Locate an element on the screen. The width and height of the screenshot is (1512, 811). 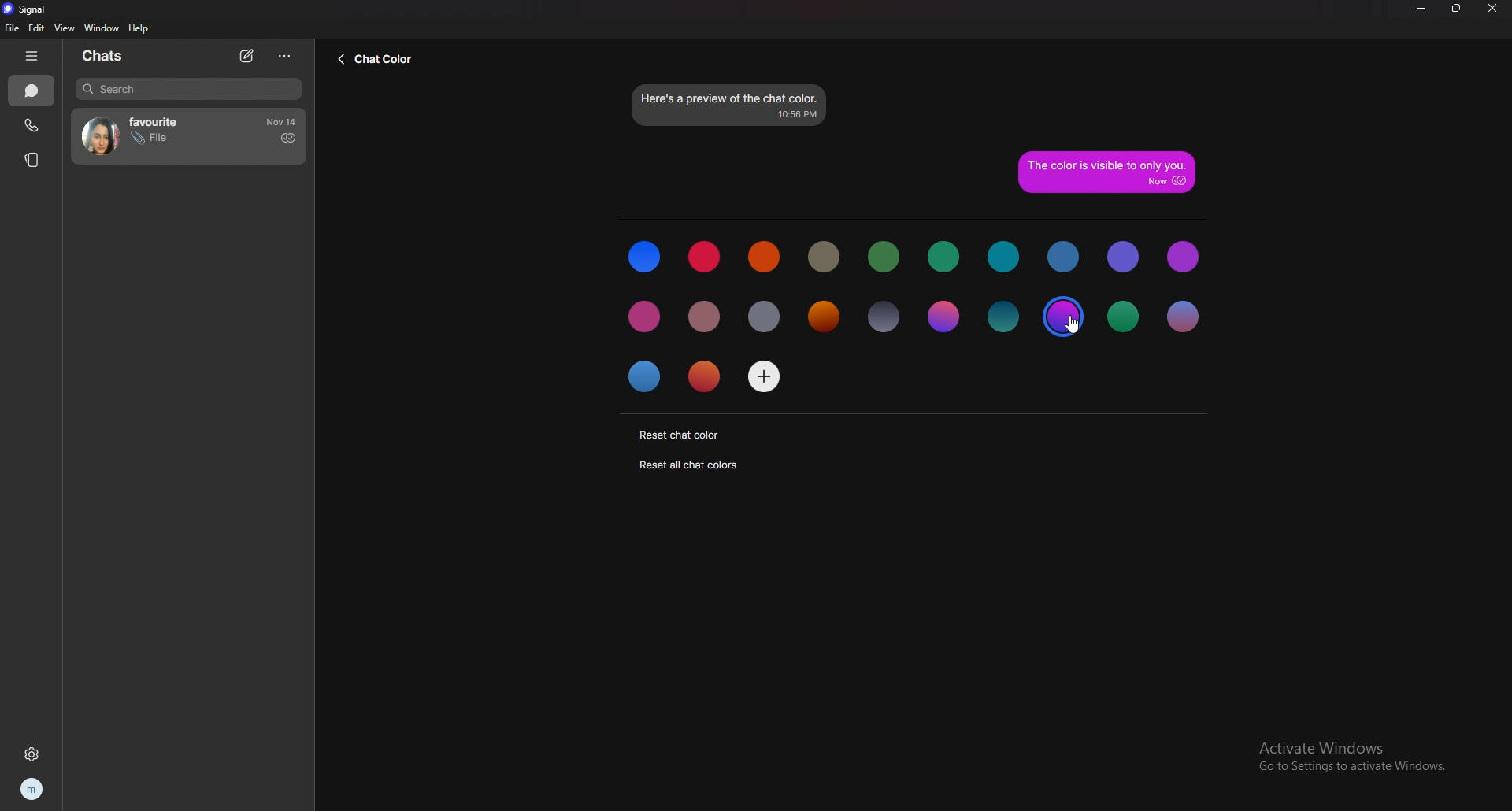
color is located at coordinates (943, 257).